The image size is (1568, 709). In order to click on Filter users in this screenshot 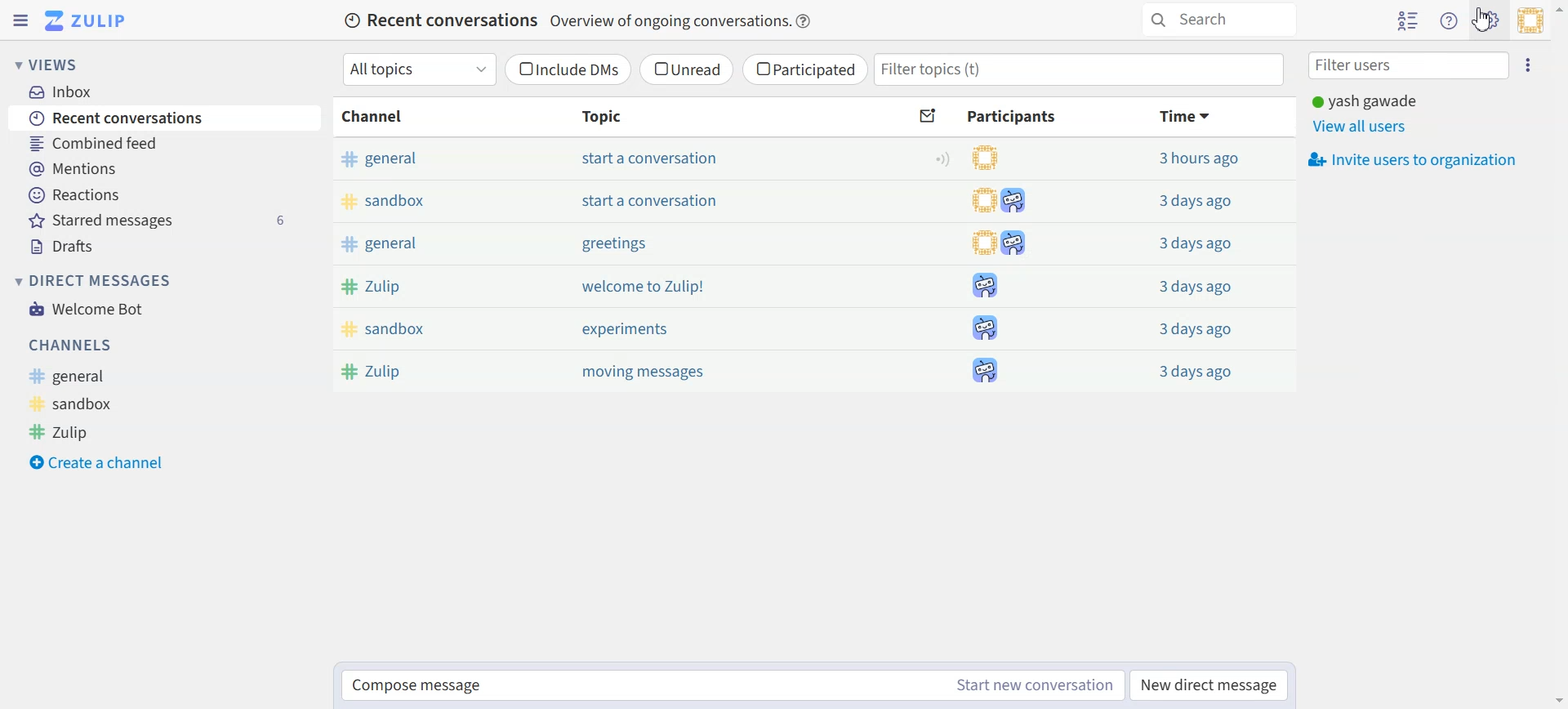, I will do `click(1410, 65)`.